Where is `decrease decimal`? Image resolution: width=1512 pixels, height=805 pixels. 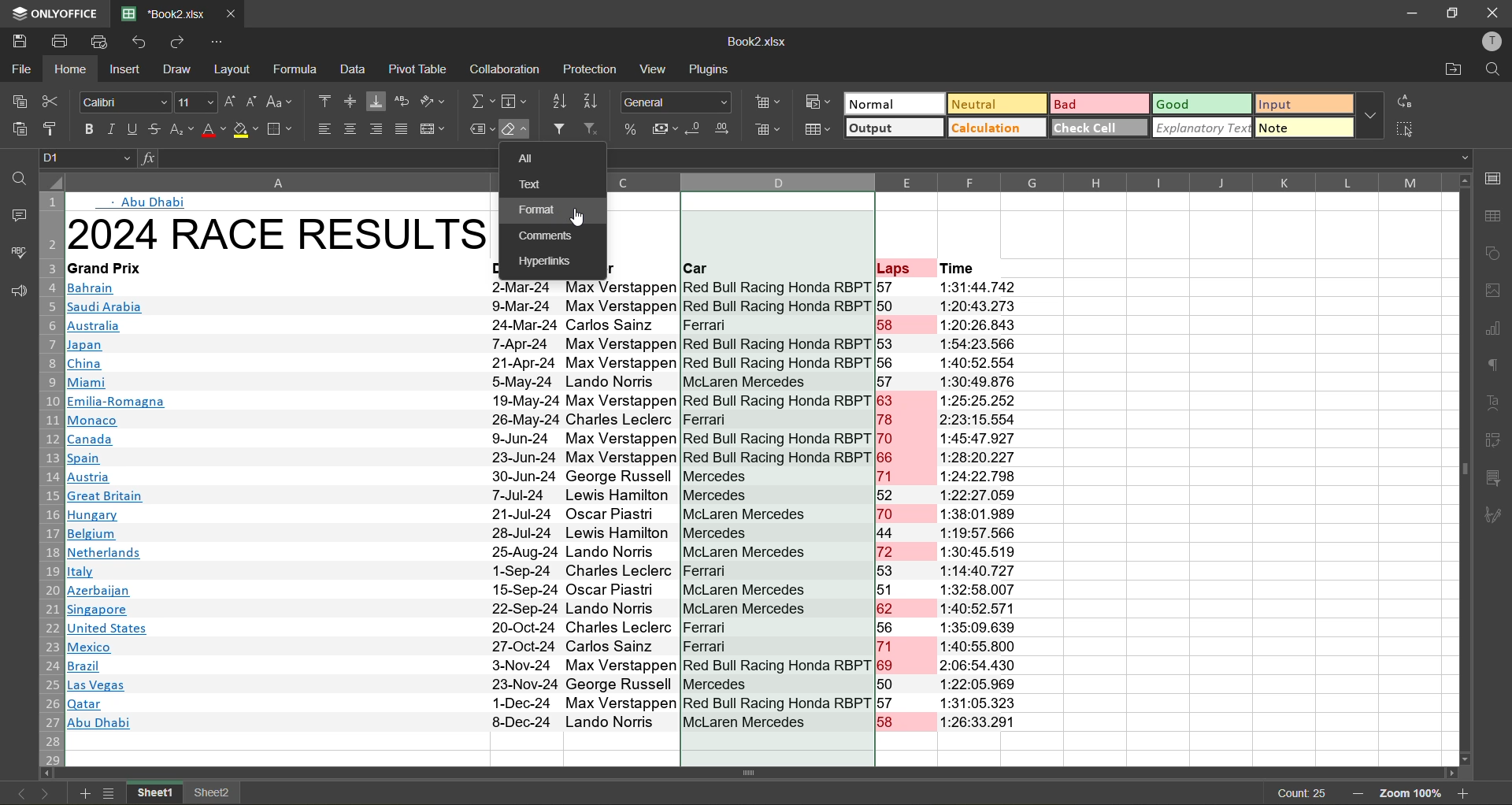 decrease decimal is located at coordinates (693, 129).